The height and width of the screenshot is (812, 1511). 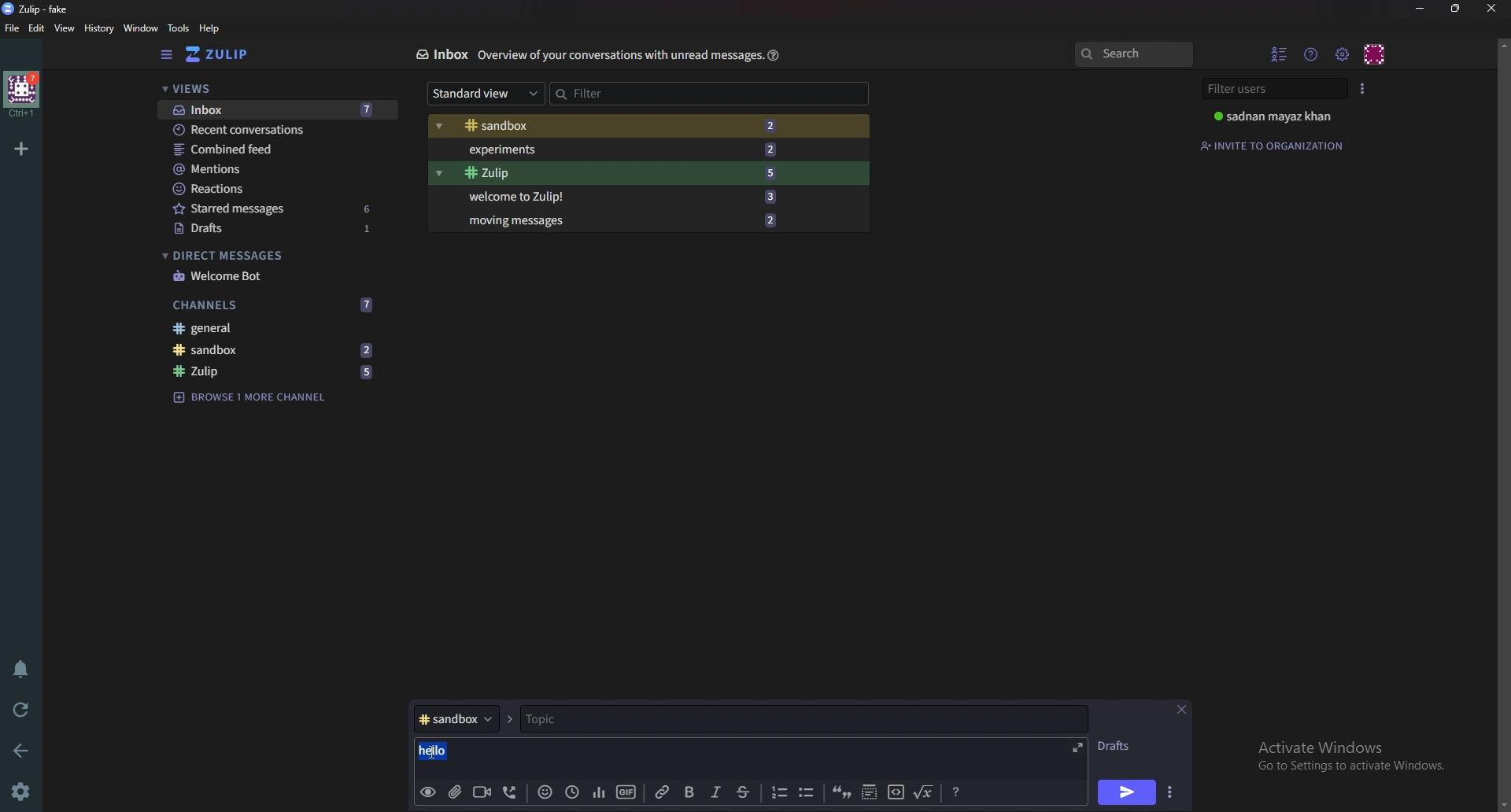 I want to click on hide side bar, so click(x=167, y=55).